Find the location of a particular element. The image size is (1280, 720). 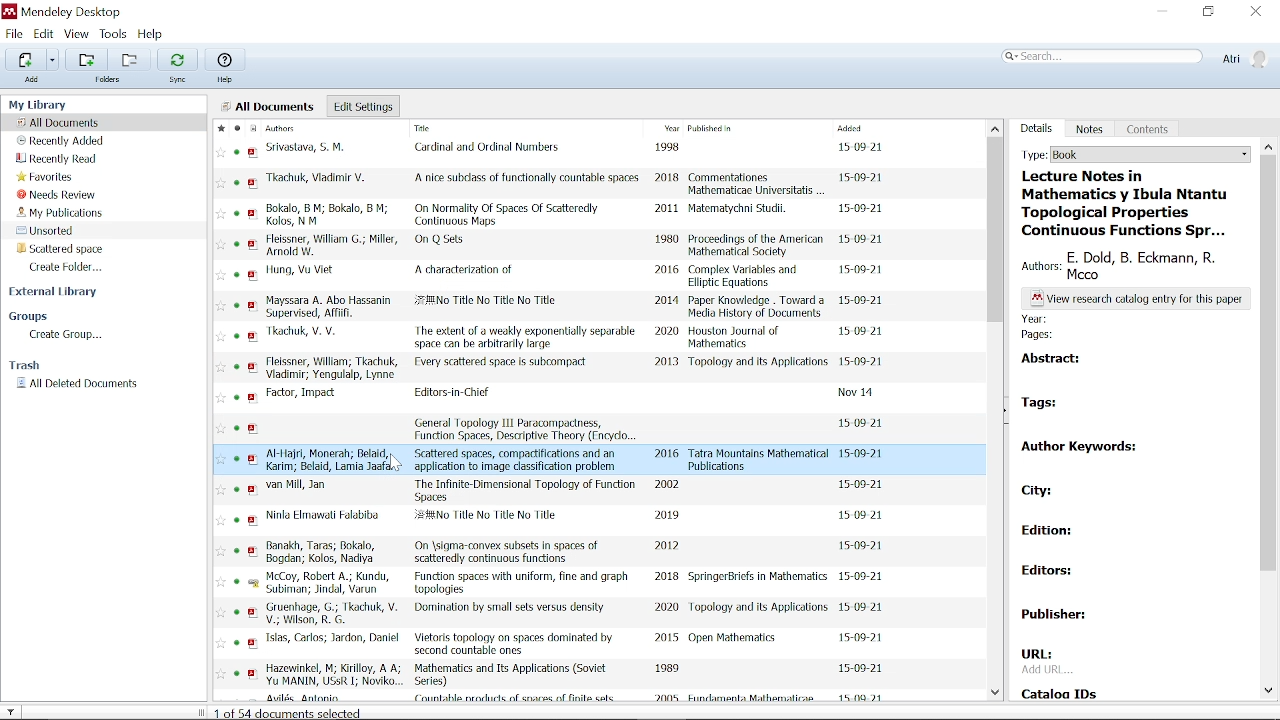

authors is located at coordinates (324, 552).